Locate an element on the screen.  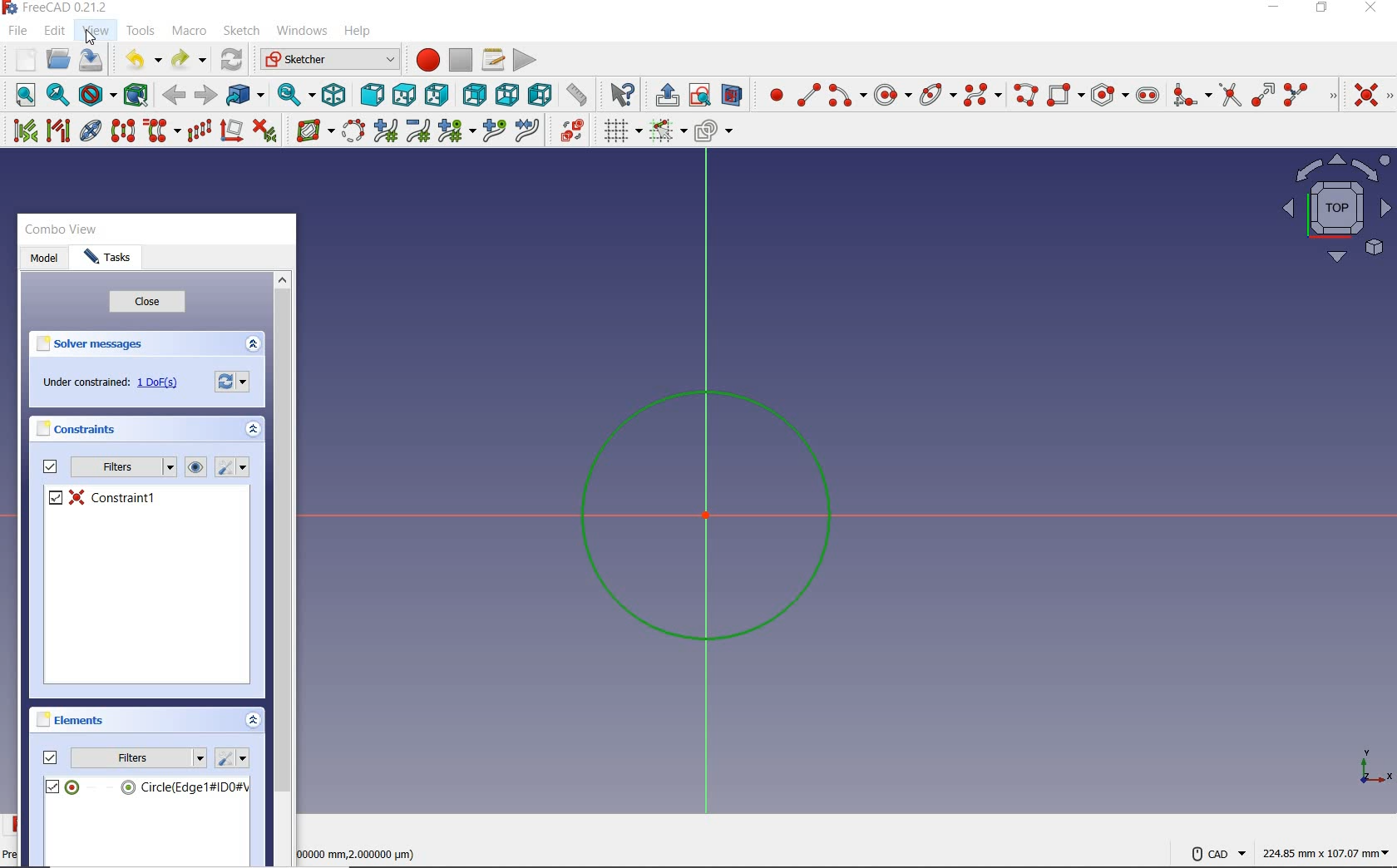
file is located at coordinates (20, 31).